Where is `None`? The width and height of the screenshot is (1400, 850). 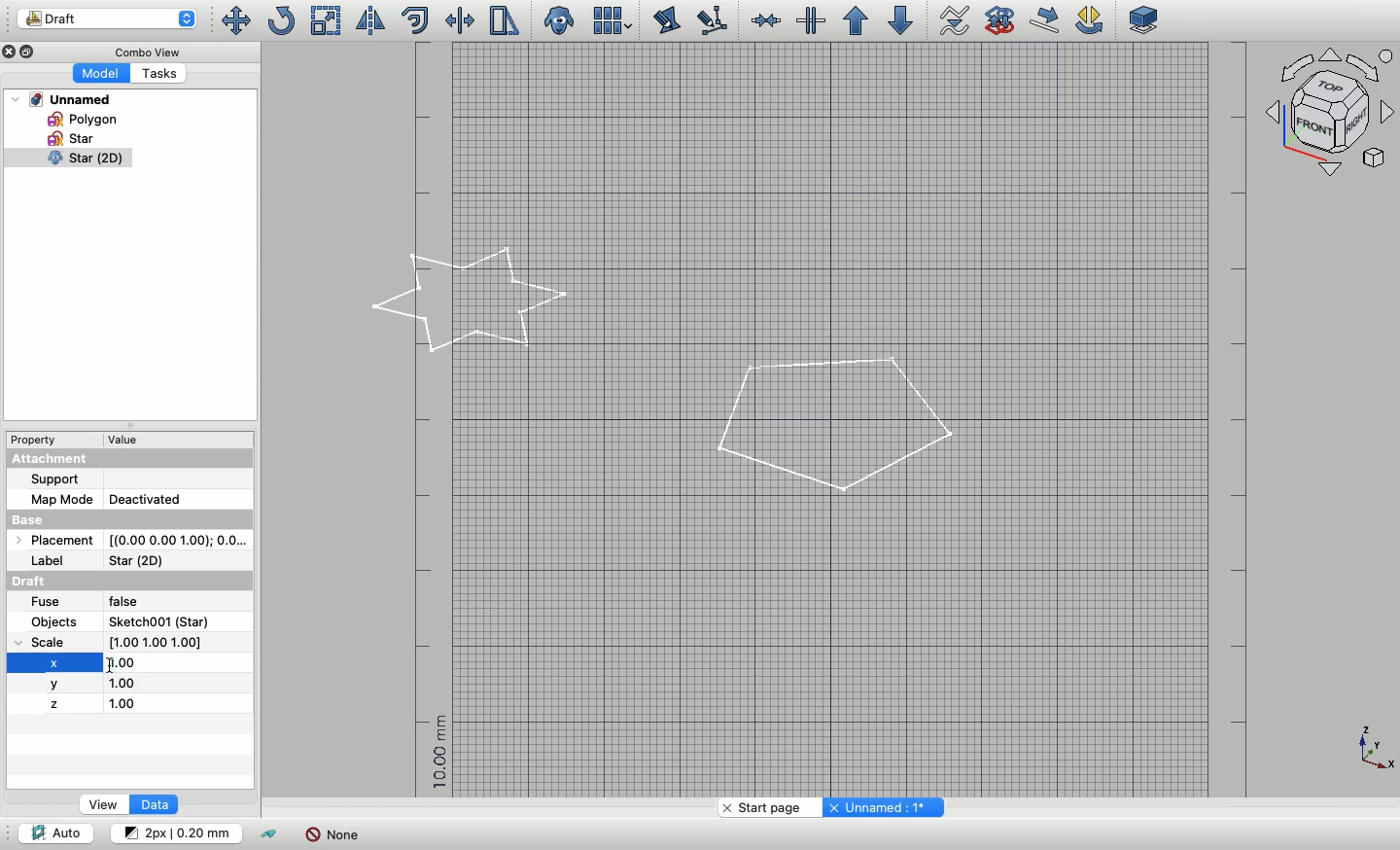 None is located at coordinates (332, 834).